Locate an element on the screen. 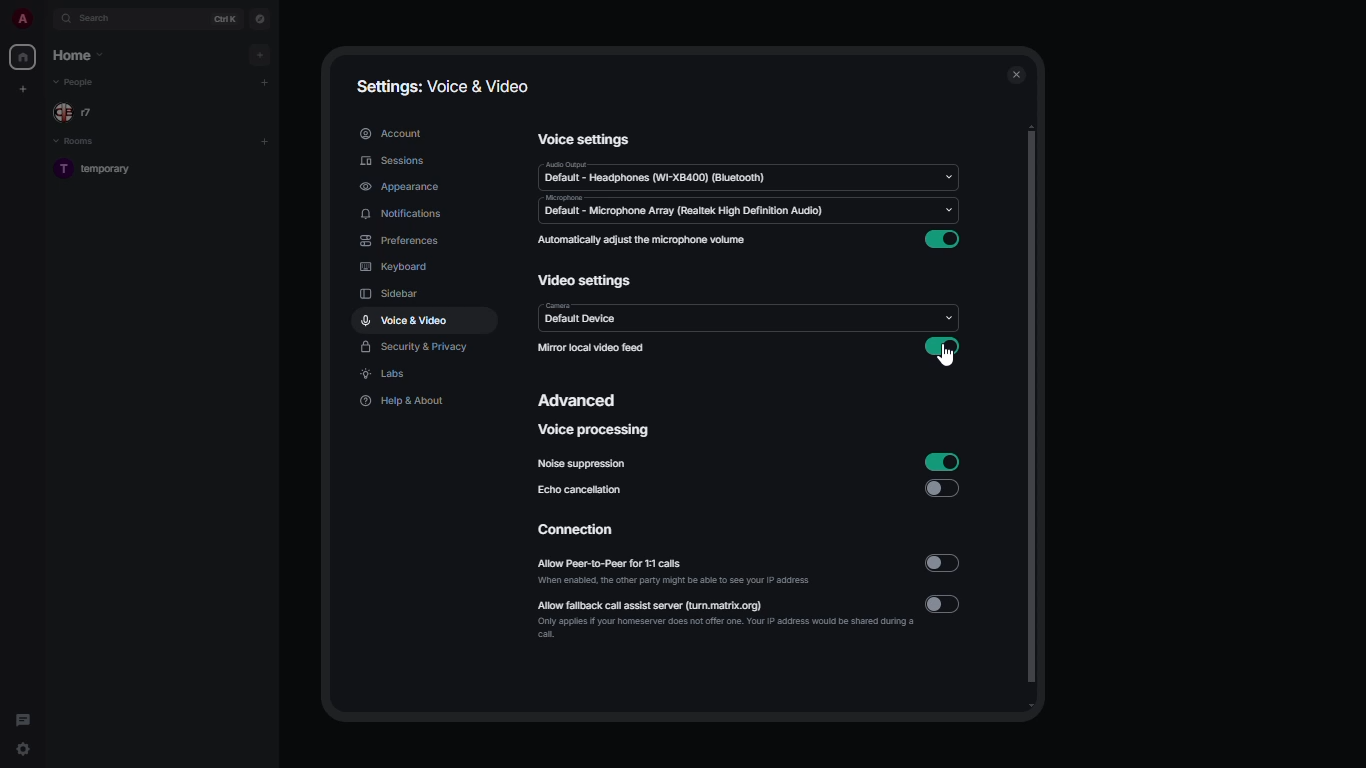 This screenshot has width=1366, height=768. noise suppression is located at coordinates (585, 463).